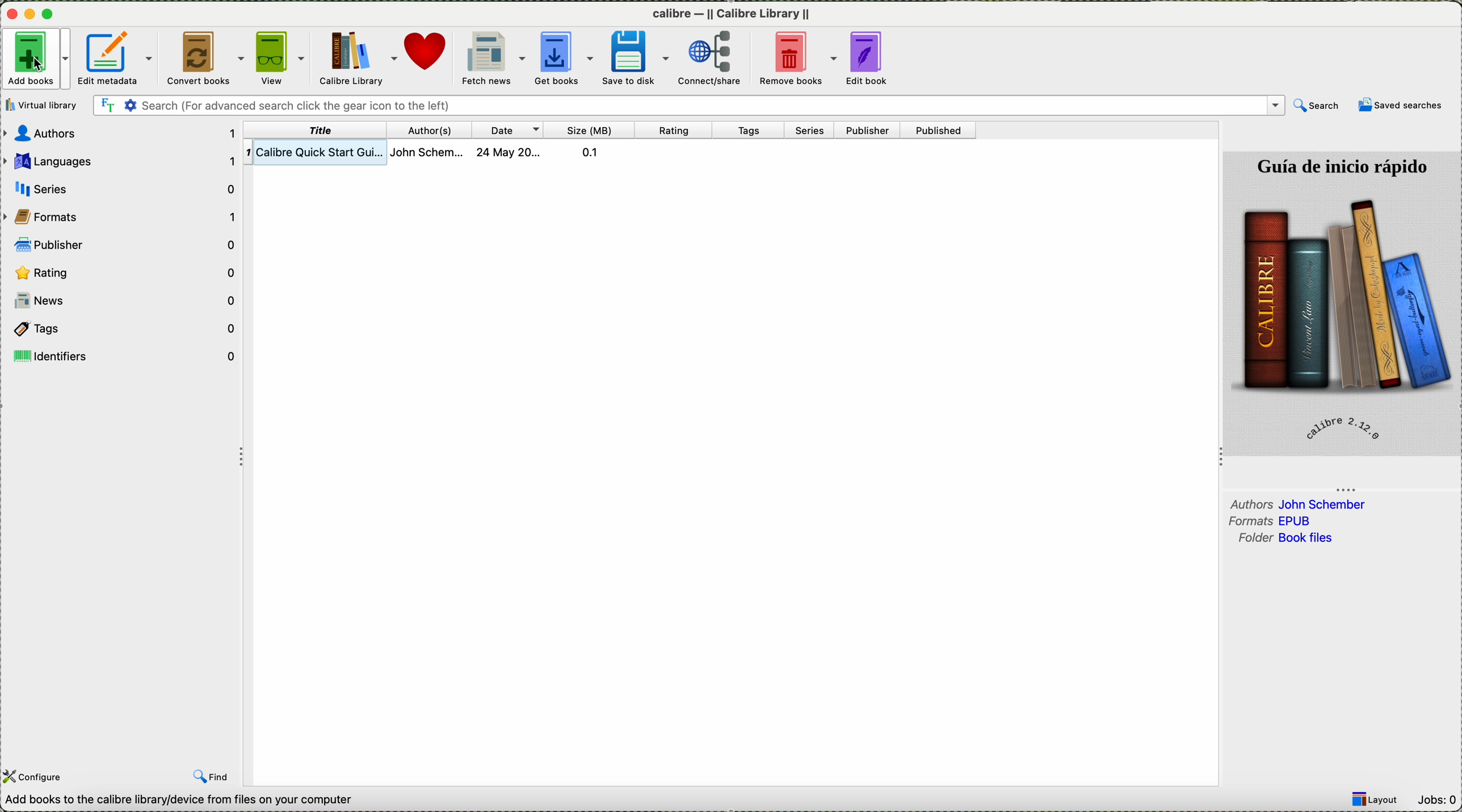  What do you see at coordinates (123, 274) in the screenshot?
I see `rating` at bounding box center [123, 274].